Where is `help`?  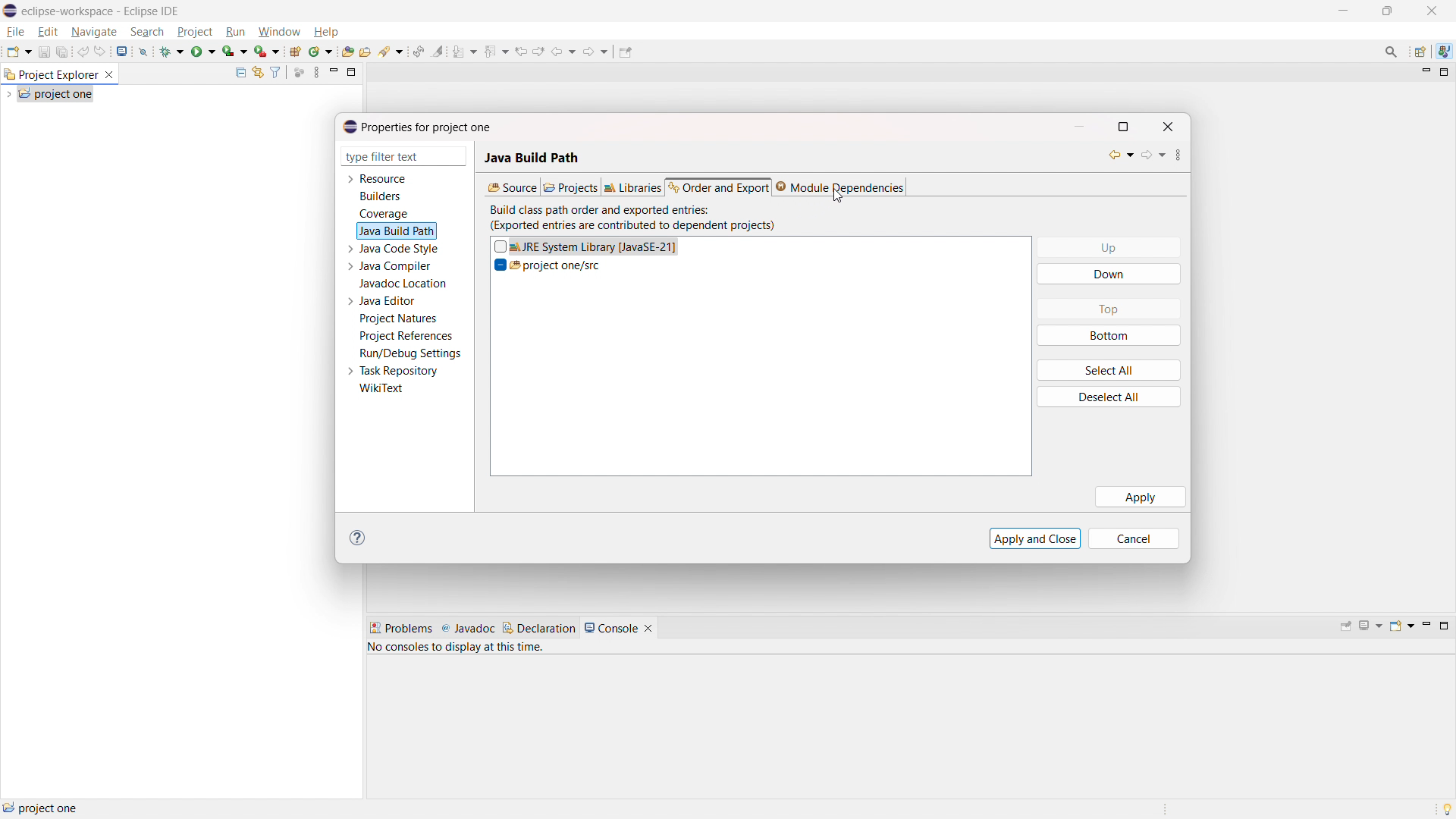 help is located at coordinates (361, 538).